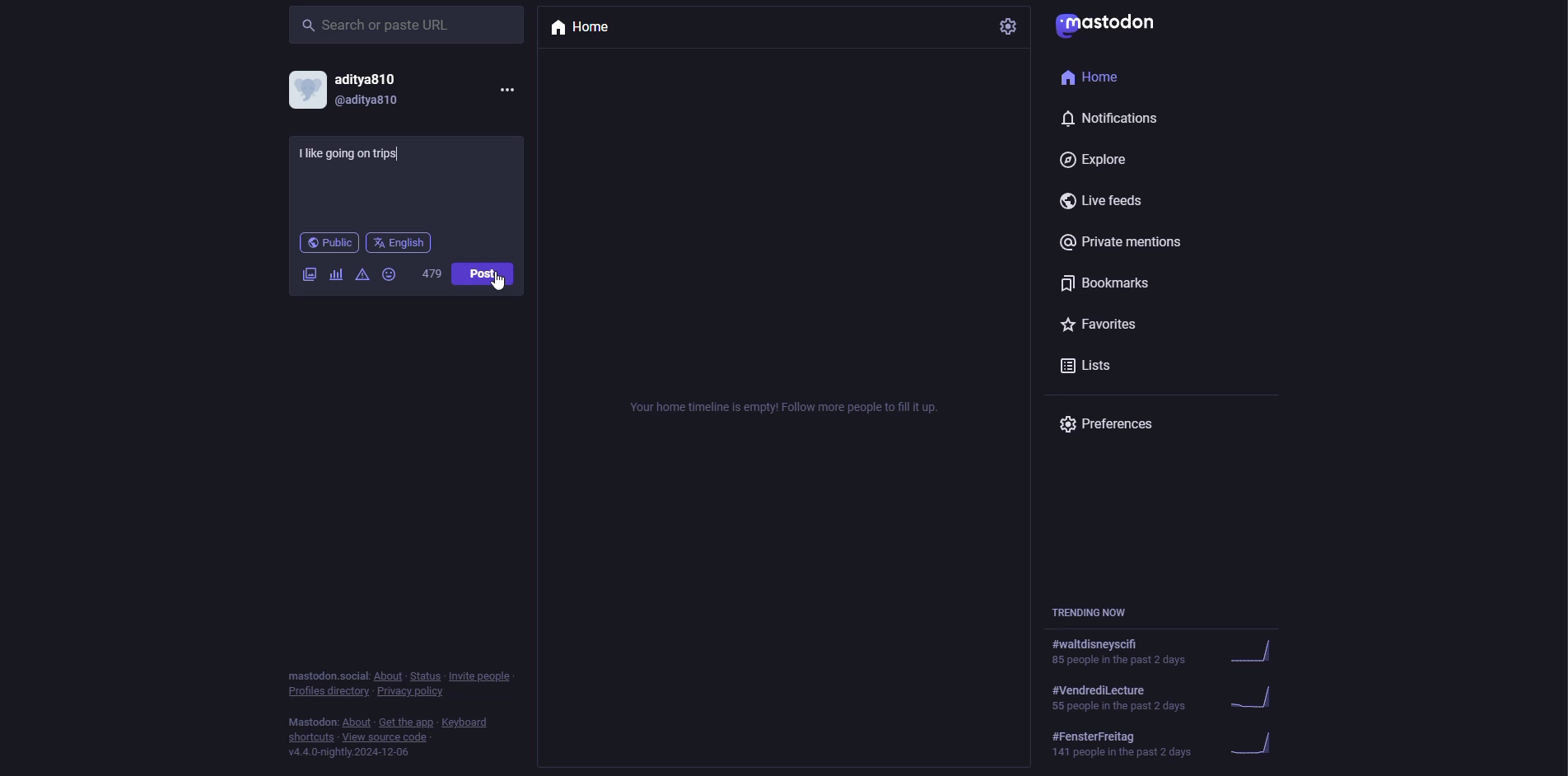 This screenshot has height=776, width=1568. Describe the element at coordinates (1110, 27) in the screenshot. I see `mastodon` at that location.